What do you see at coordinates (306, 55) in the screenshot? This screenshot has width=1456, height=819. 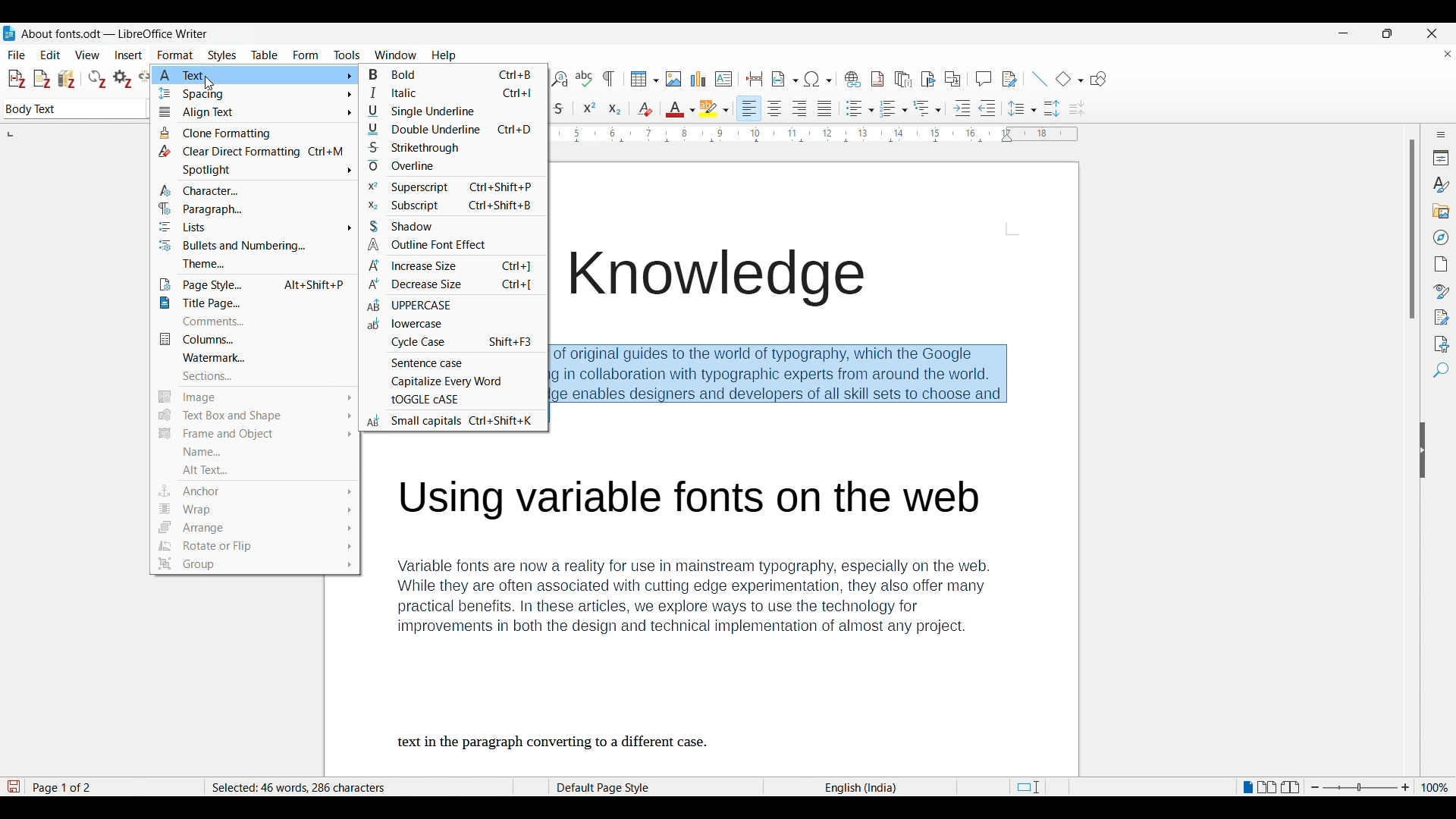 I see `Form menu` at bounding box center [306, 55].